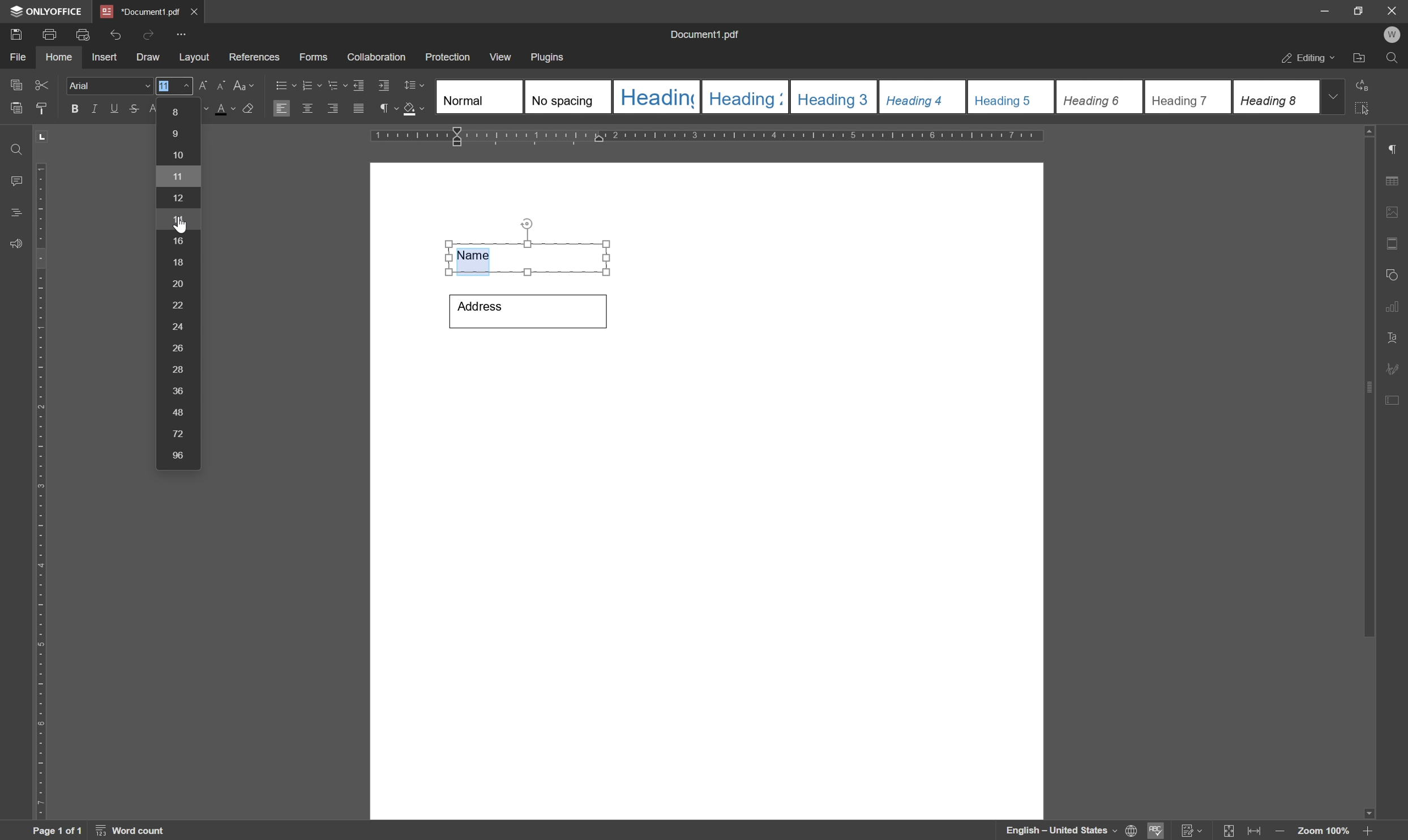 The height and width of the screenshot is (840, 1408). I want to click on justified, so click(357, 109).